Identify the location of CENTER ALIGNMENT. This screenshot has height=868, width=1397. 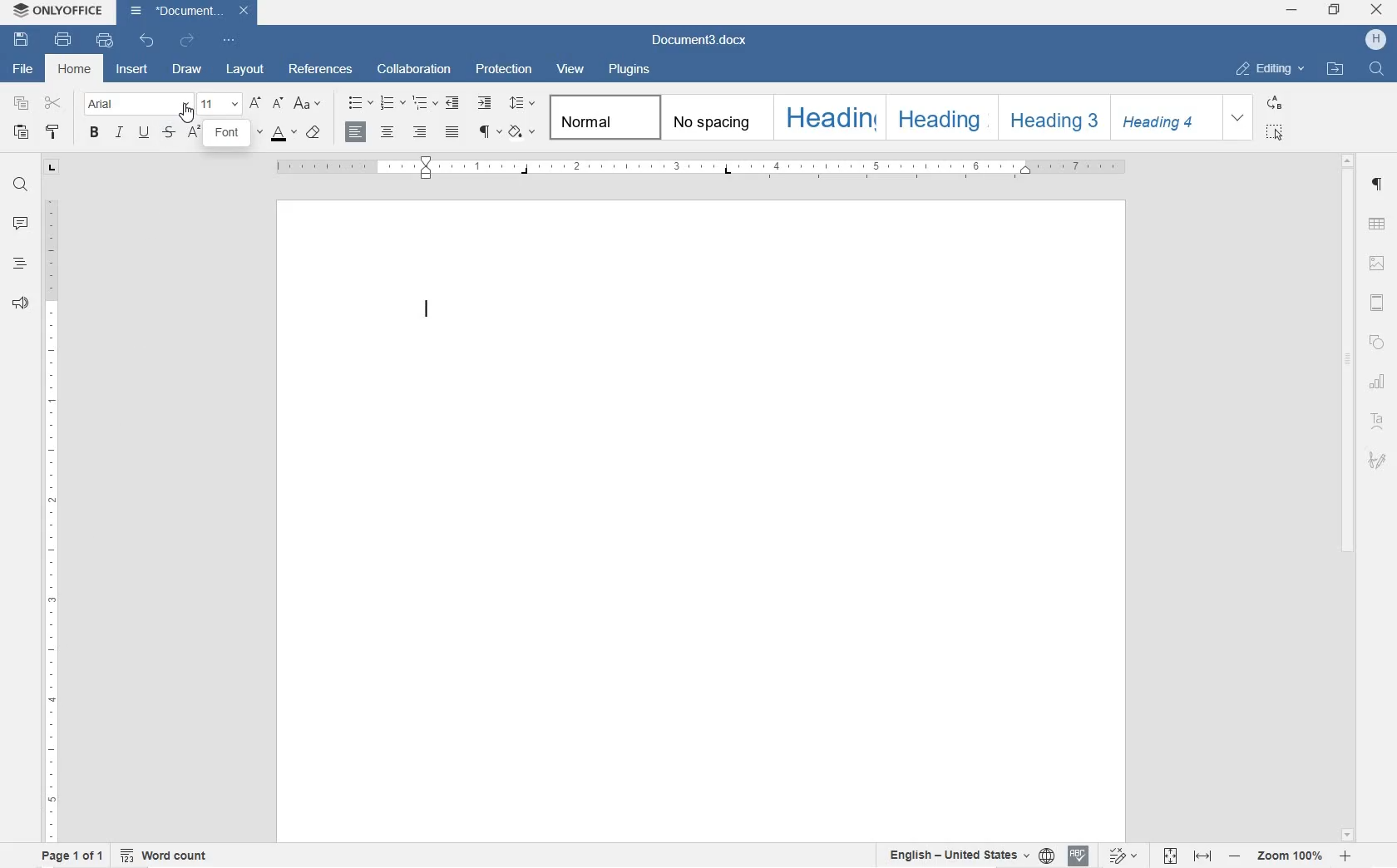
(388, 131).